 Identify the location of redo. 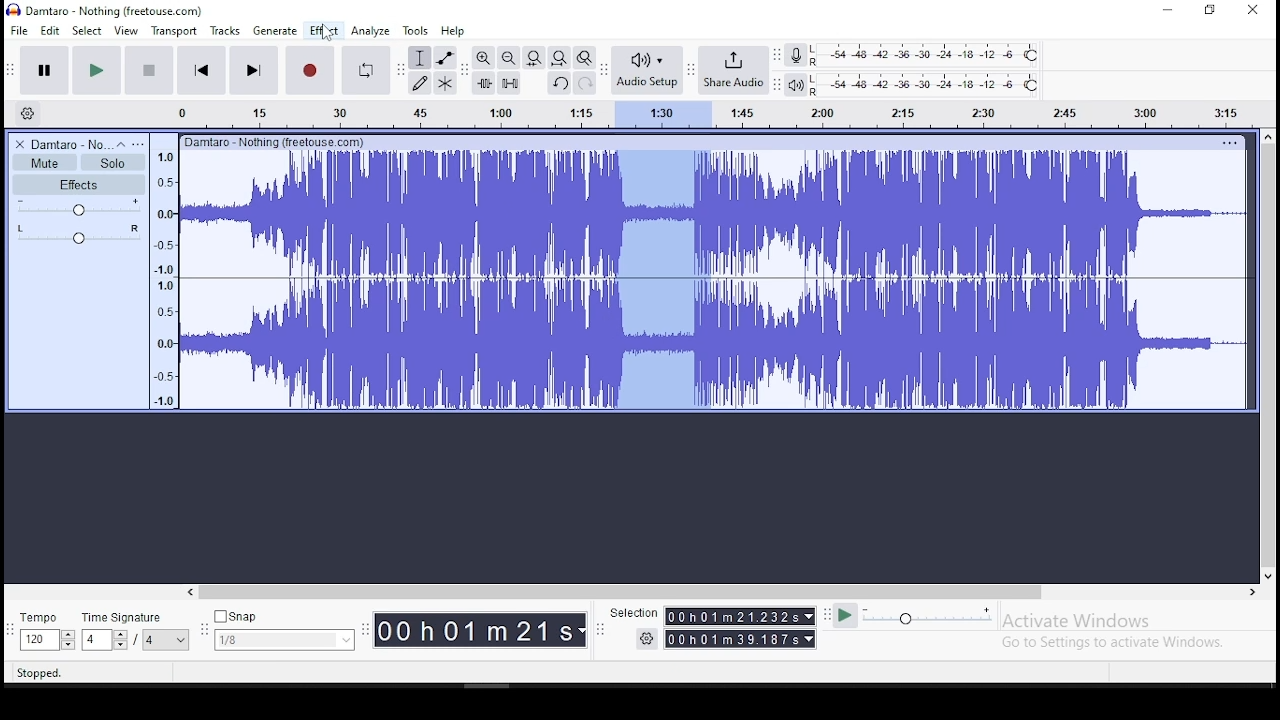
(585, 82).